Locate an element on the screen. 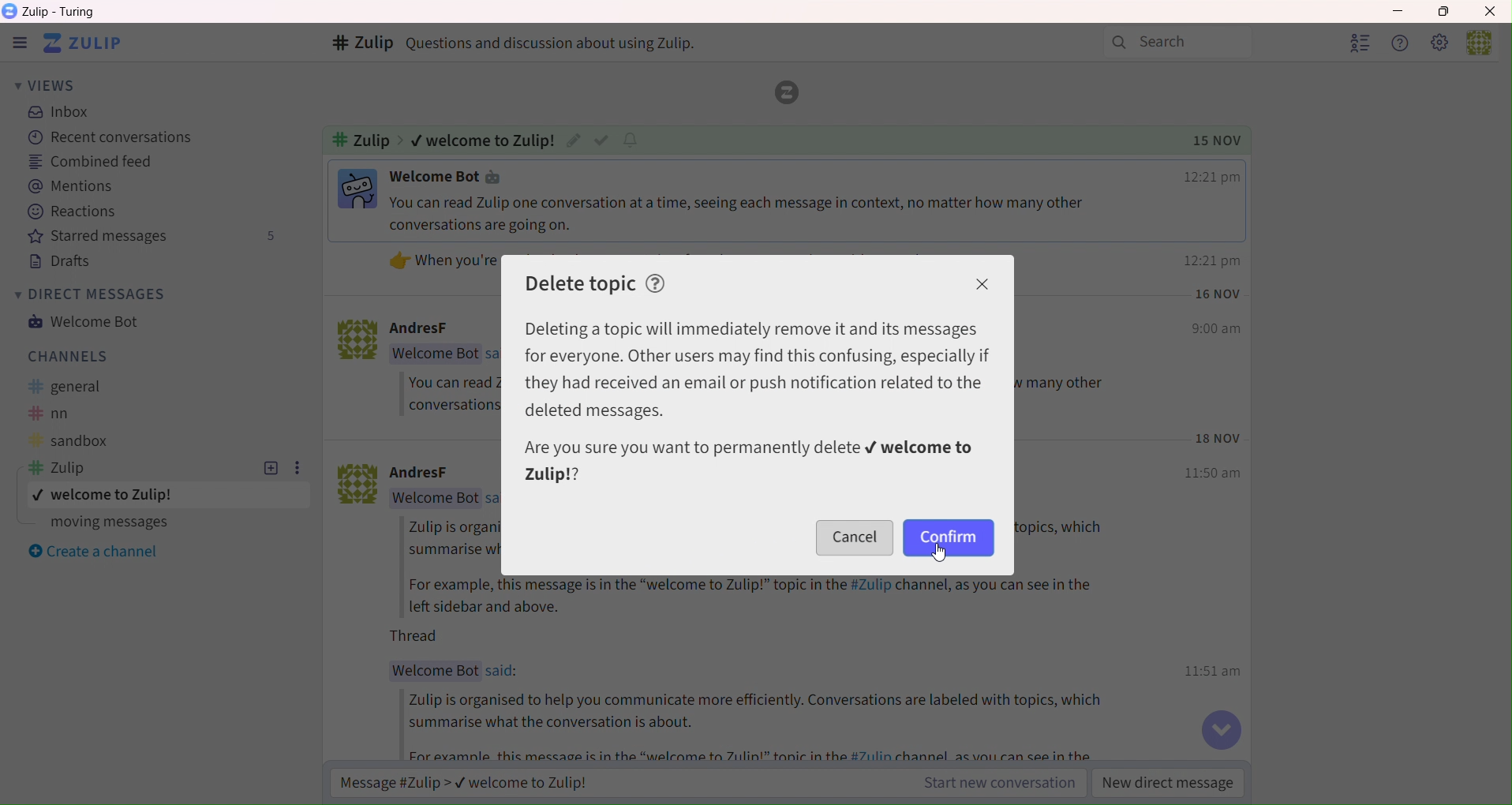  Help is located at coordinates (1403, 45).